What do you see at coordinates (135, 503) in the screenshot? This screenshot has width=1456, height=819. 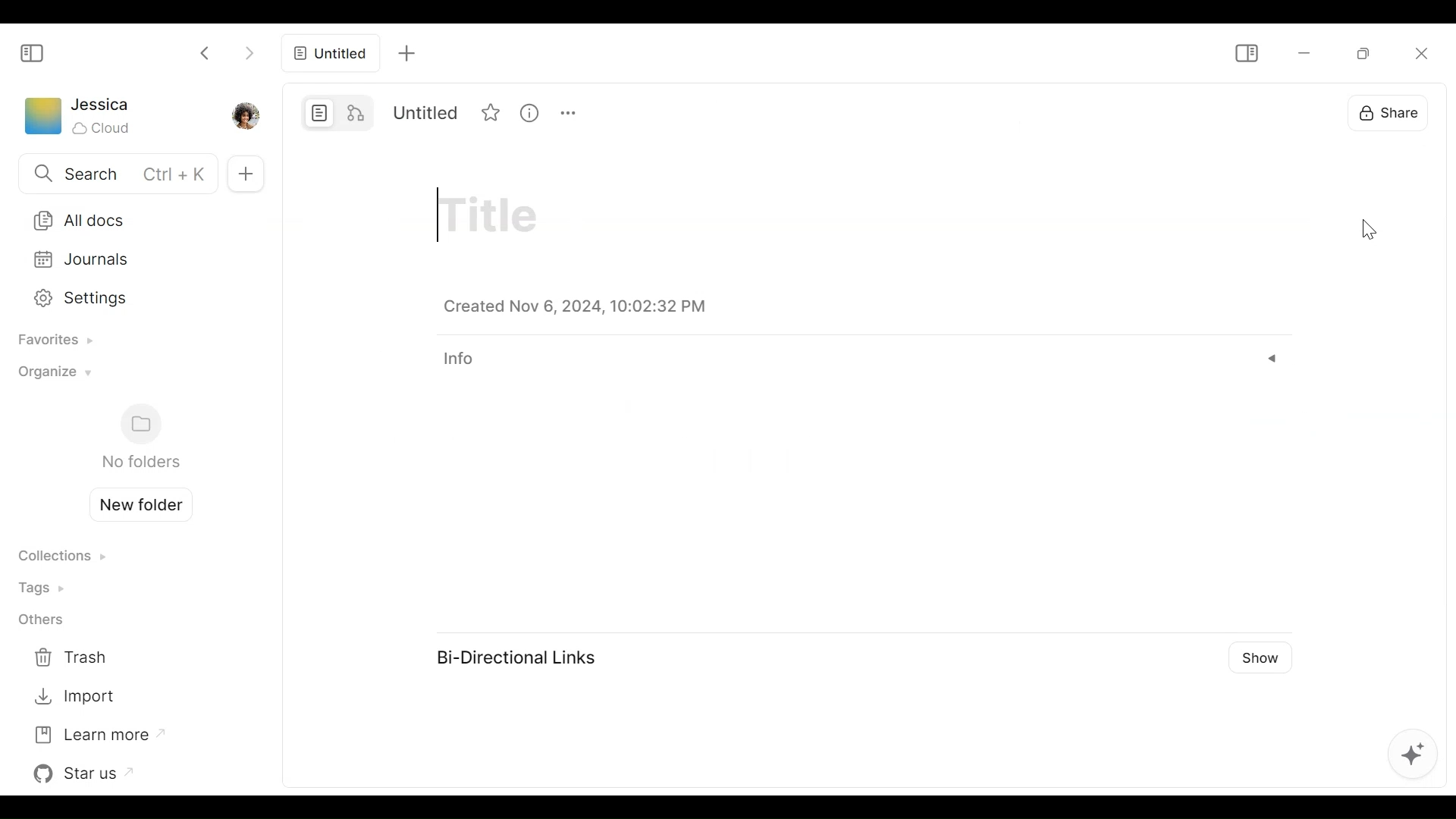 I see `Create new folder` at bounding box center [135, 503].